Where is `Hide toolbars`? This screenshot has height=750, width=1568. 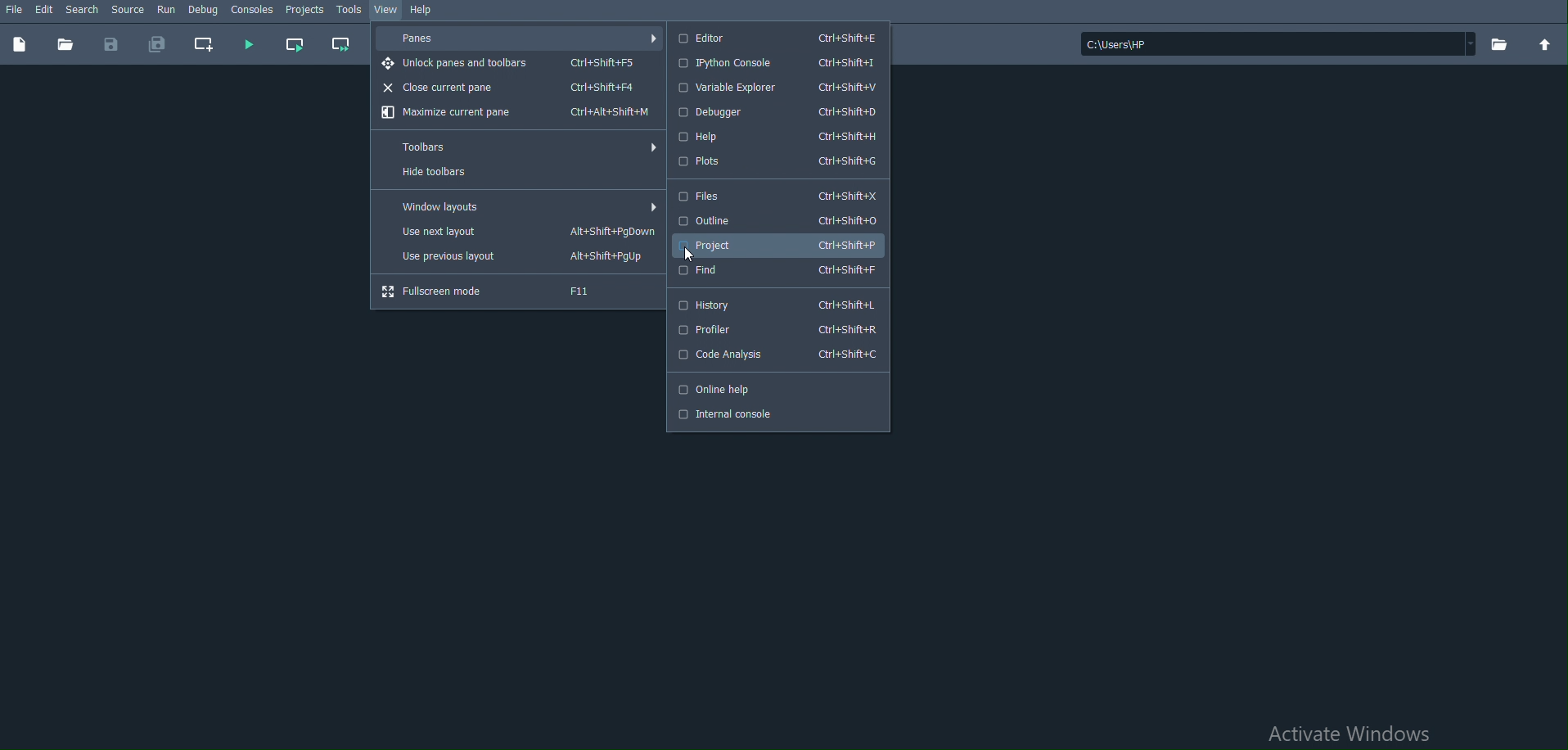
Hide toolbars is located at coordinates (516, 172).